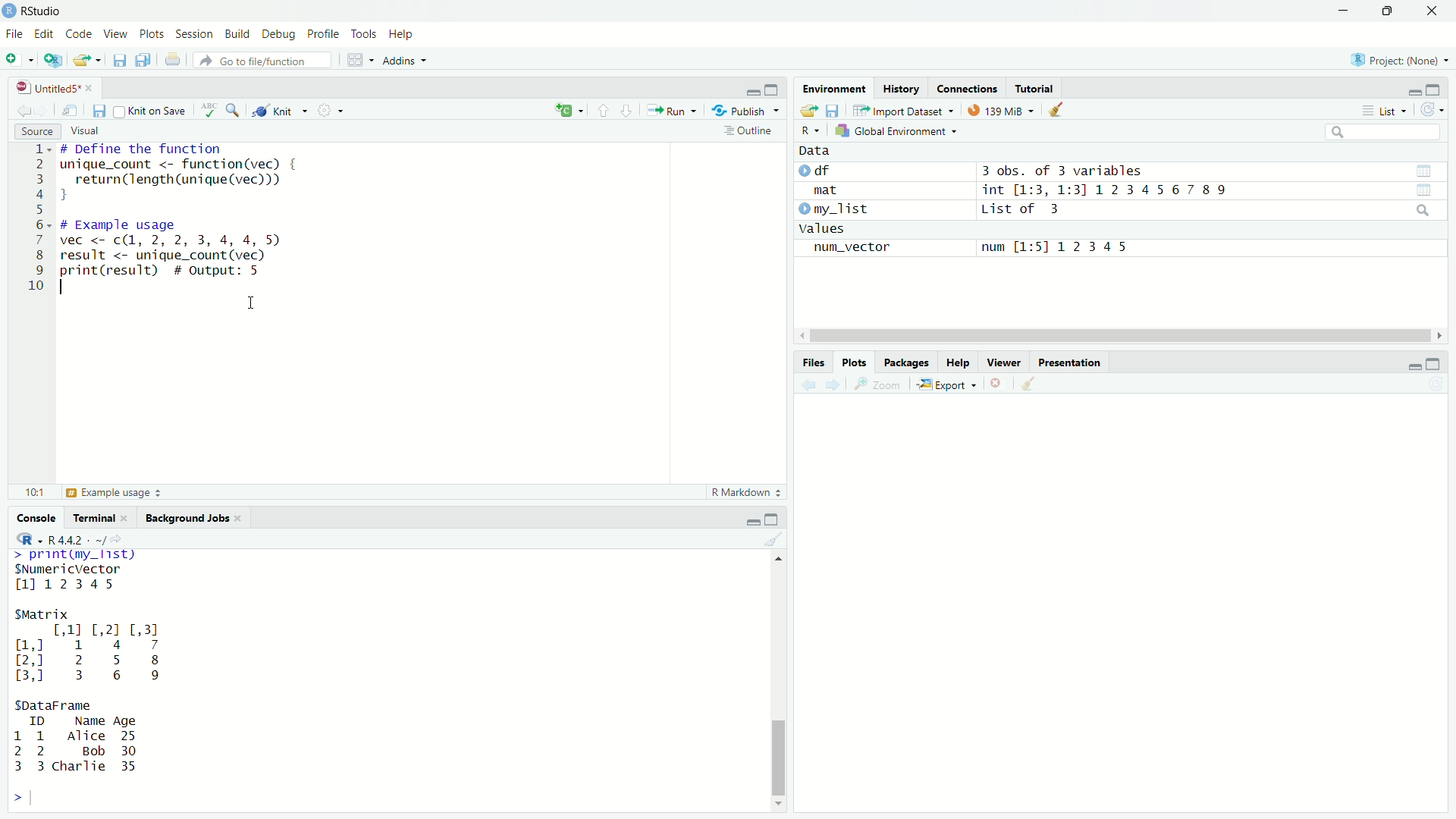  I want to click on view data, so click(1423, 191).